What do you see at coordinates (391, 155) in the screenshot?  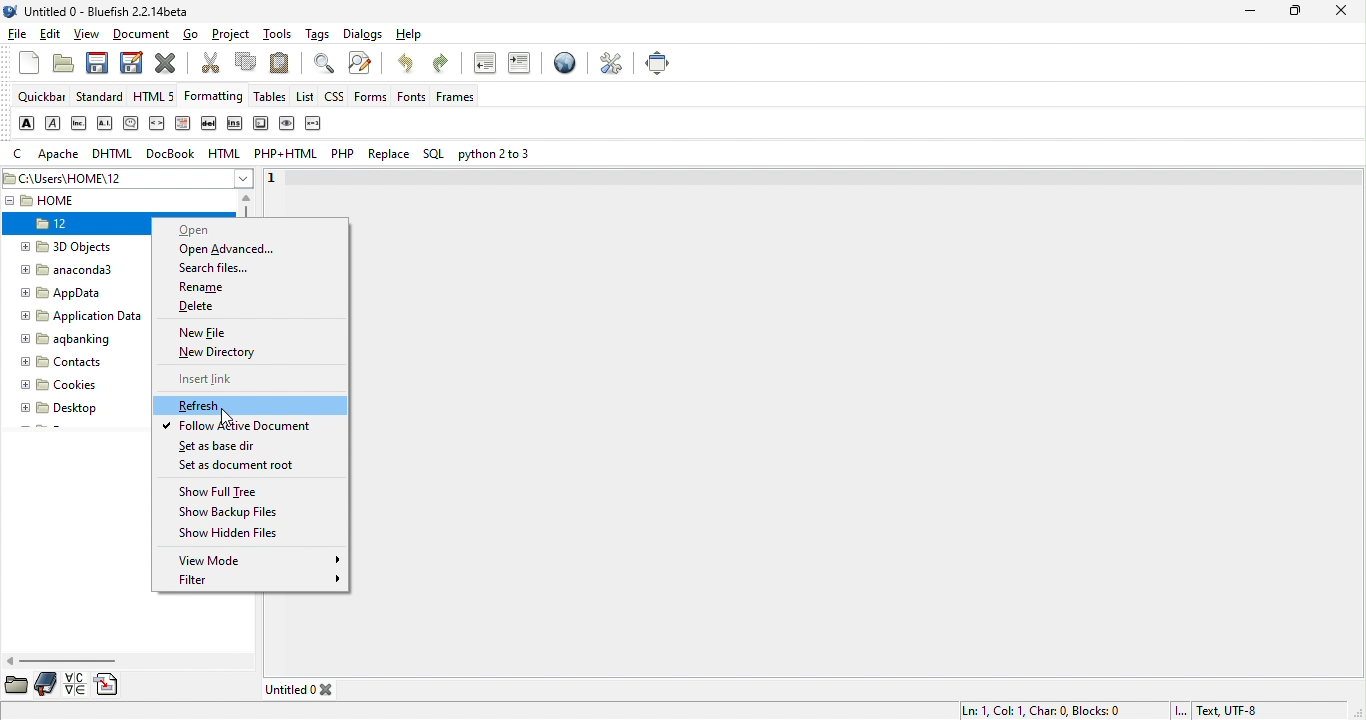 I see `replace` at bounding box center [391, 155].